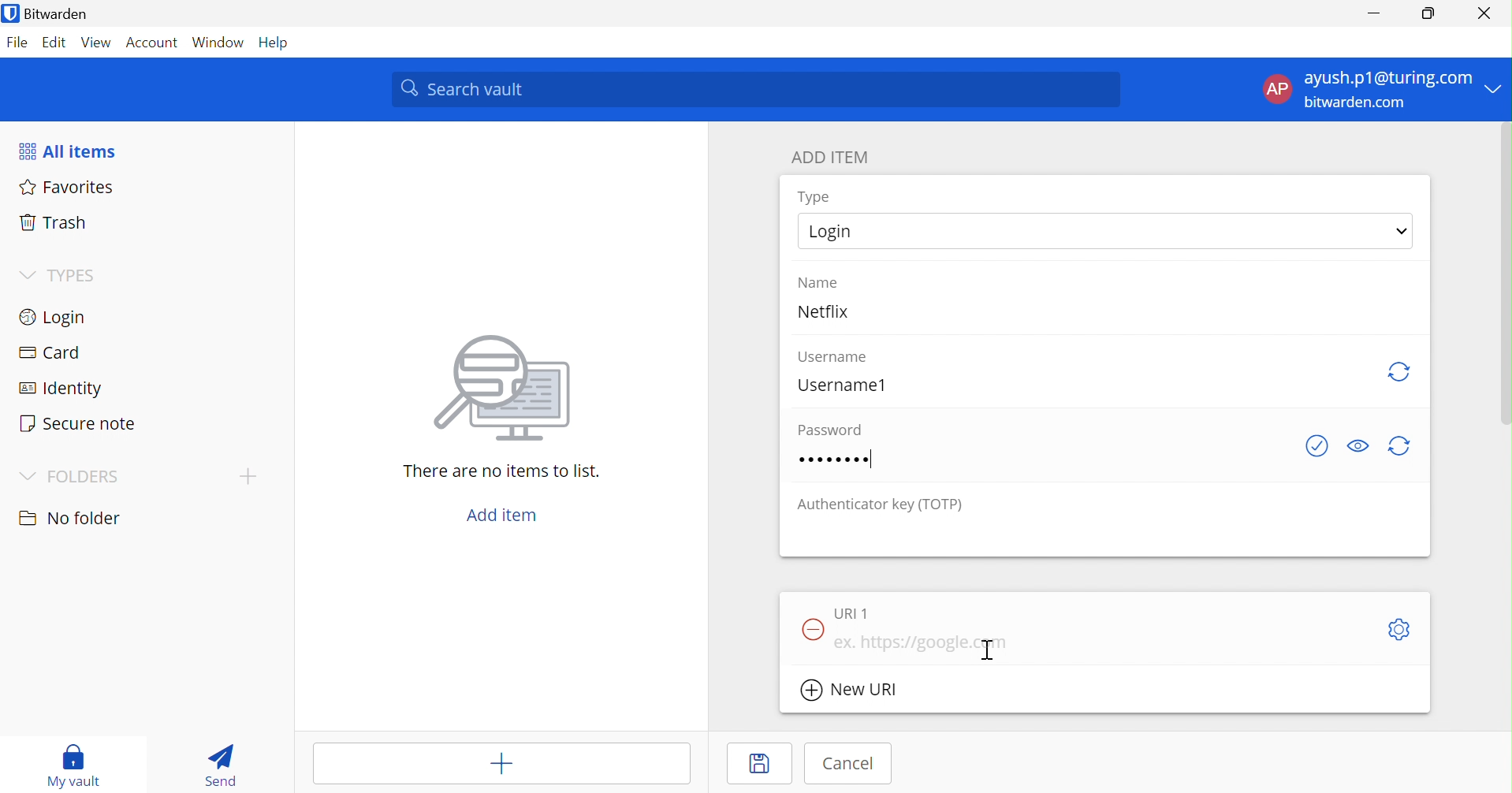 This screenshot has height=793, width=1512. What do you see at coordinates (754, 88) in the screenshot?
I see `Search vault` at bounding box center [754, 88].